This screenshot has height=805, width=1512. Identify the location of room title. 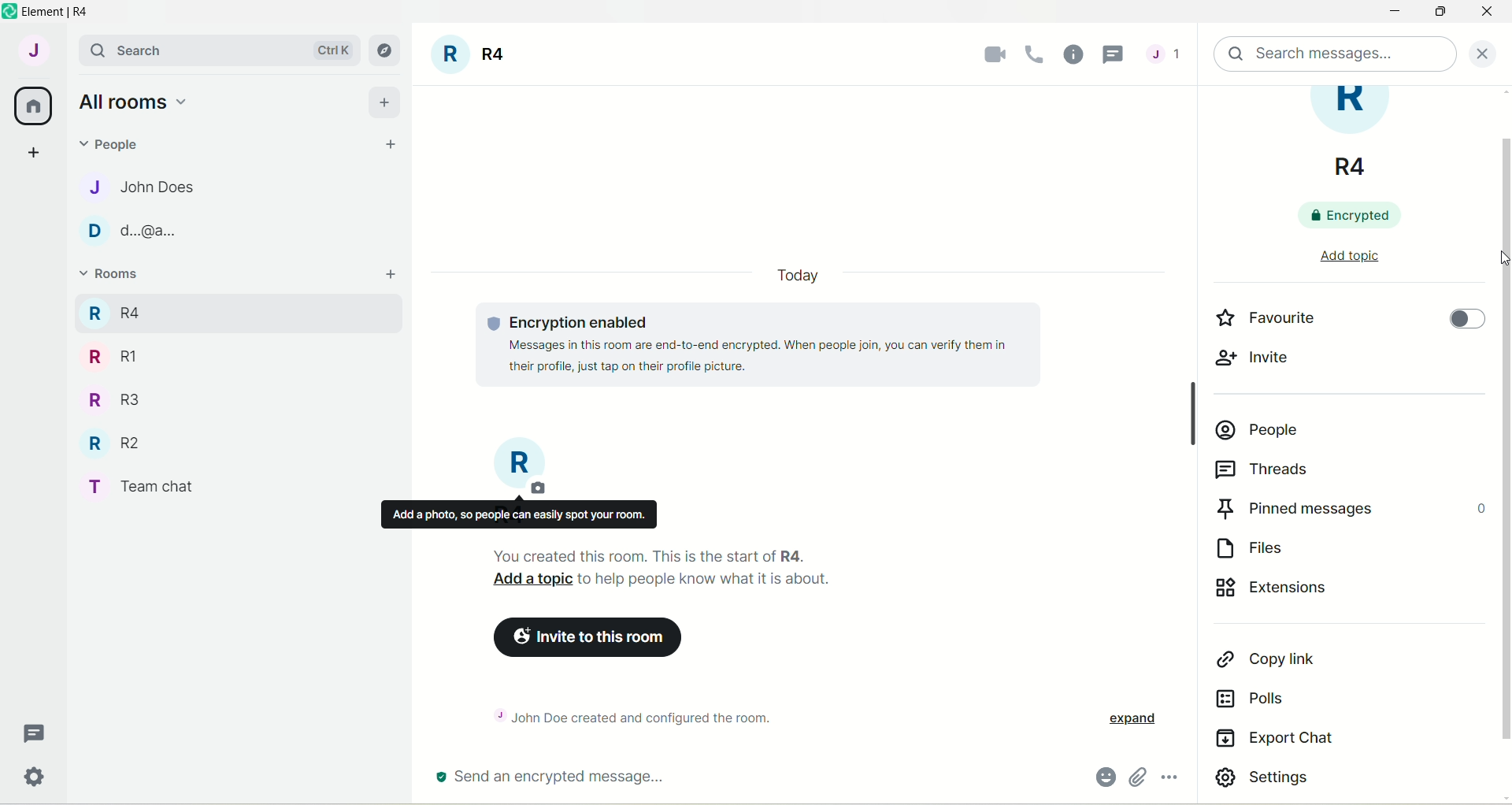
(471, 57).